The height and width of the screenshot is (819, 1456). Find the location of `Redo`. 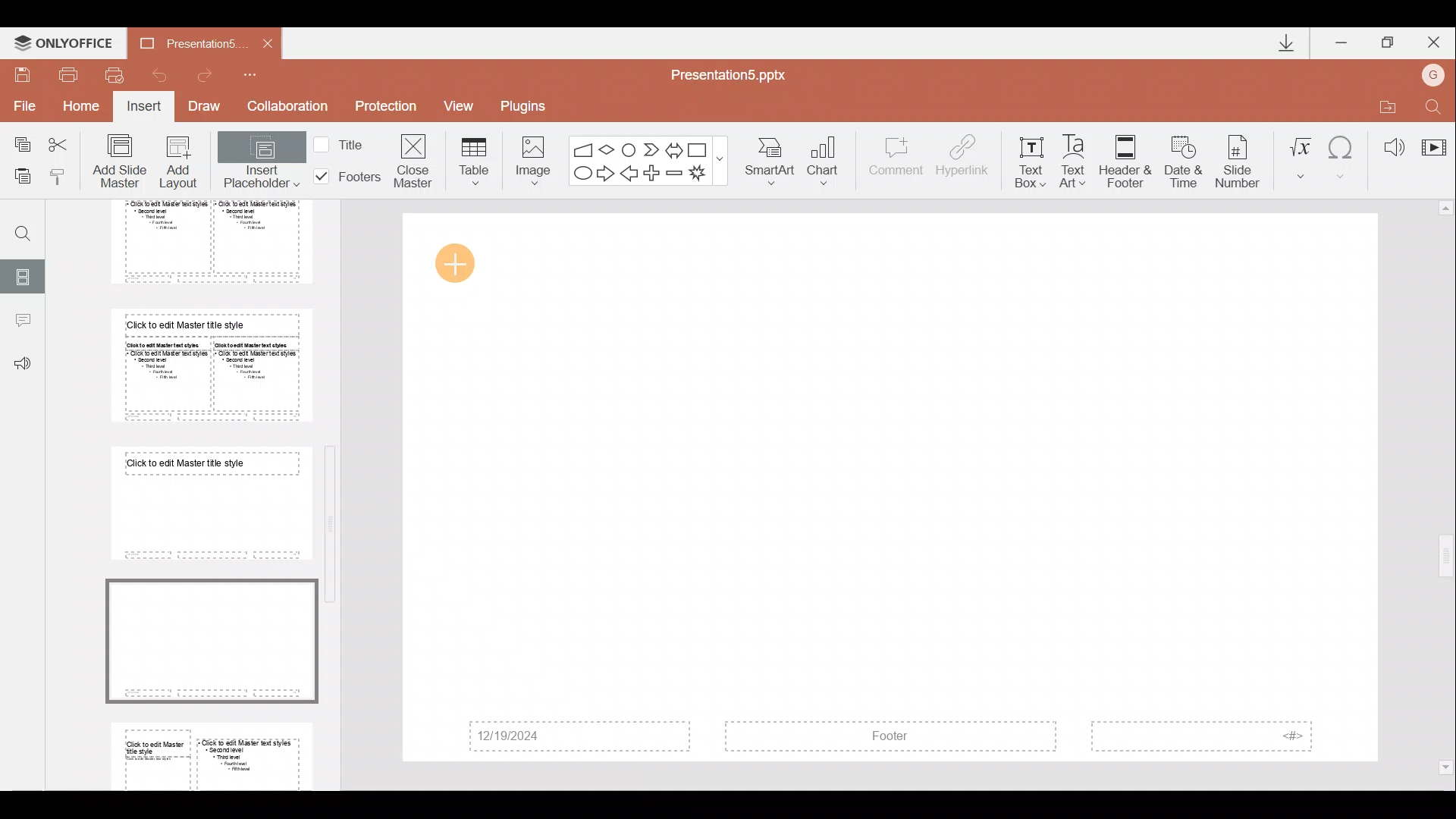

Redo is located at coordinates (211, 75).